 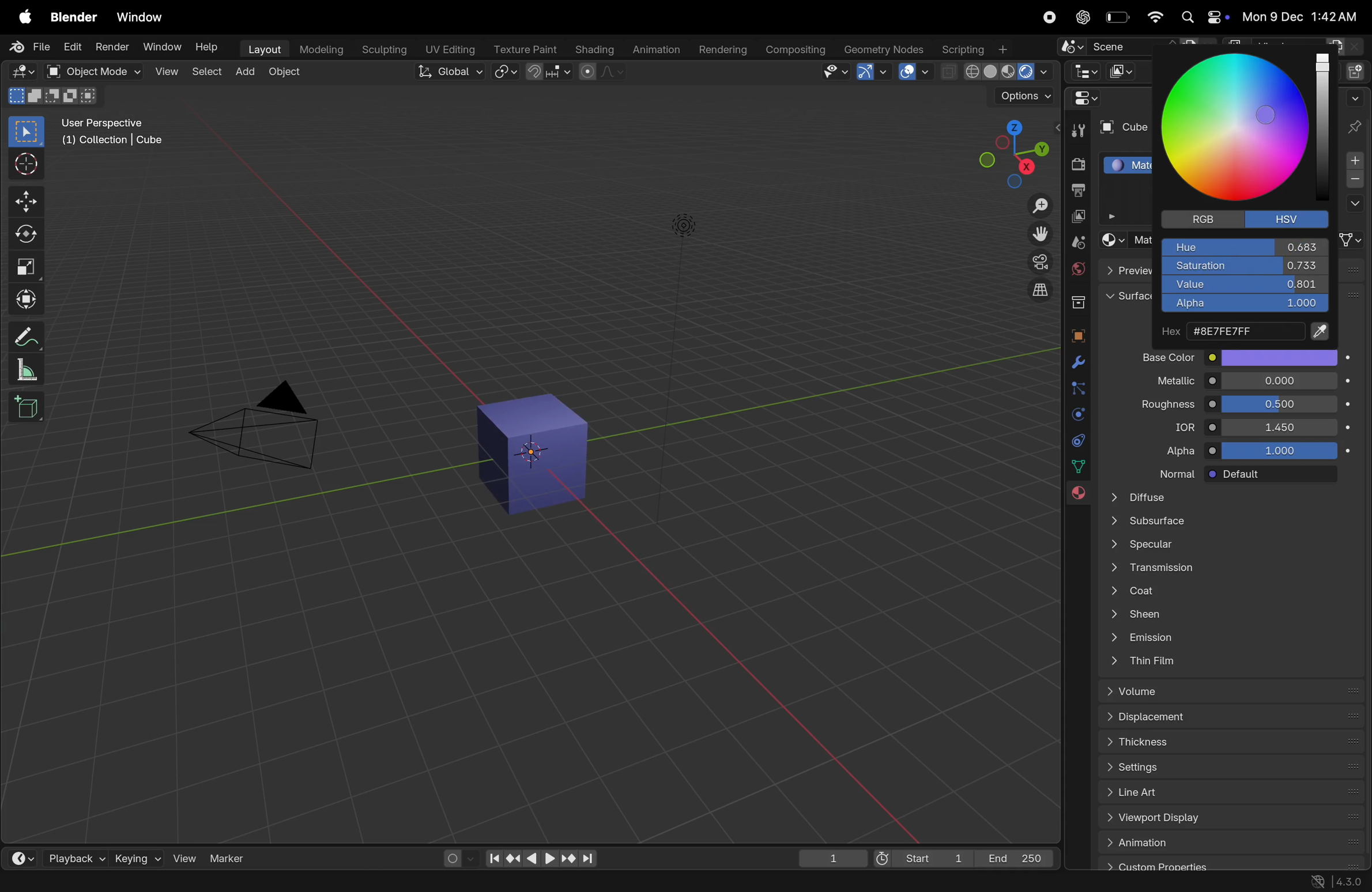 What do you see at coordinates (1006, 150) in the screenshot?
I see `view point` at bounding box center [1006, 150].